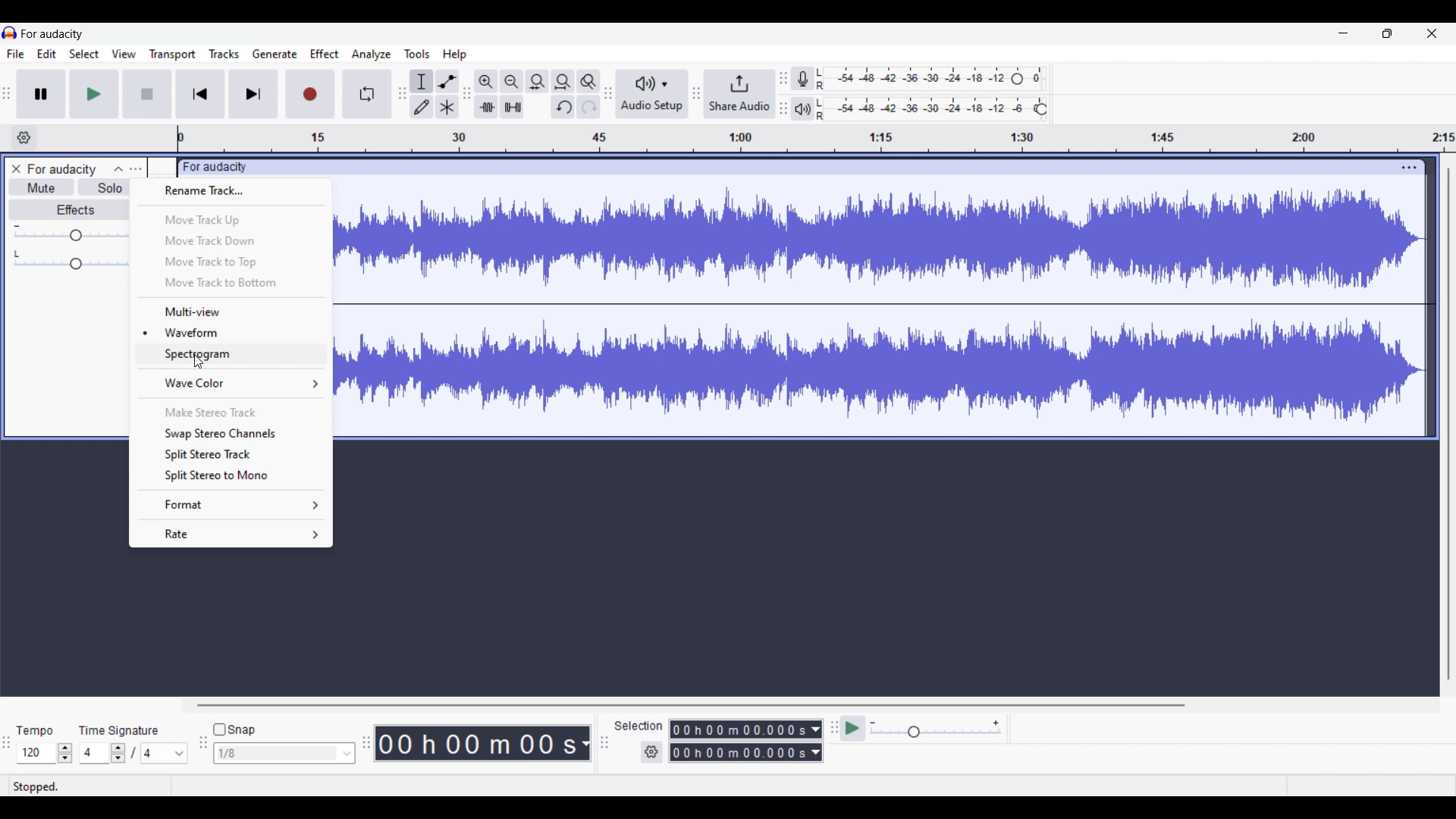 The height and width of the screenshot is (819, 1456). Describe the element at coordinates (133, 753) in the screenshot. I see `Time signature settings` at that location.